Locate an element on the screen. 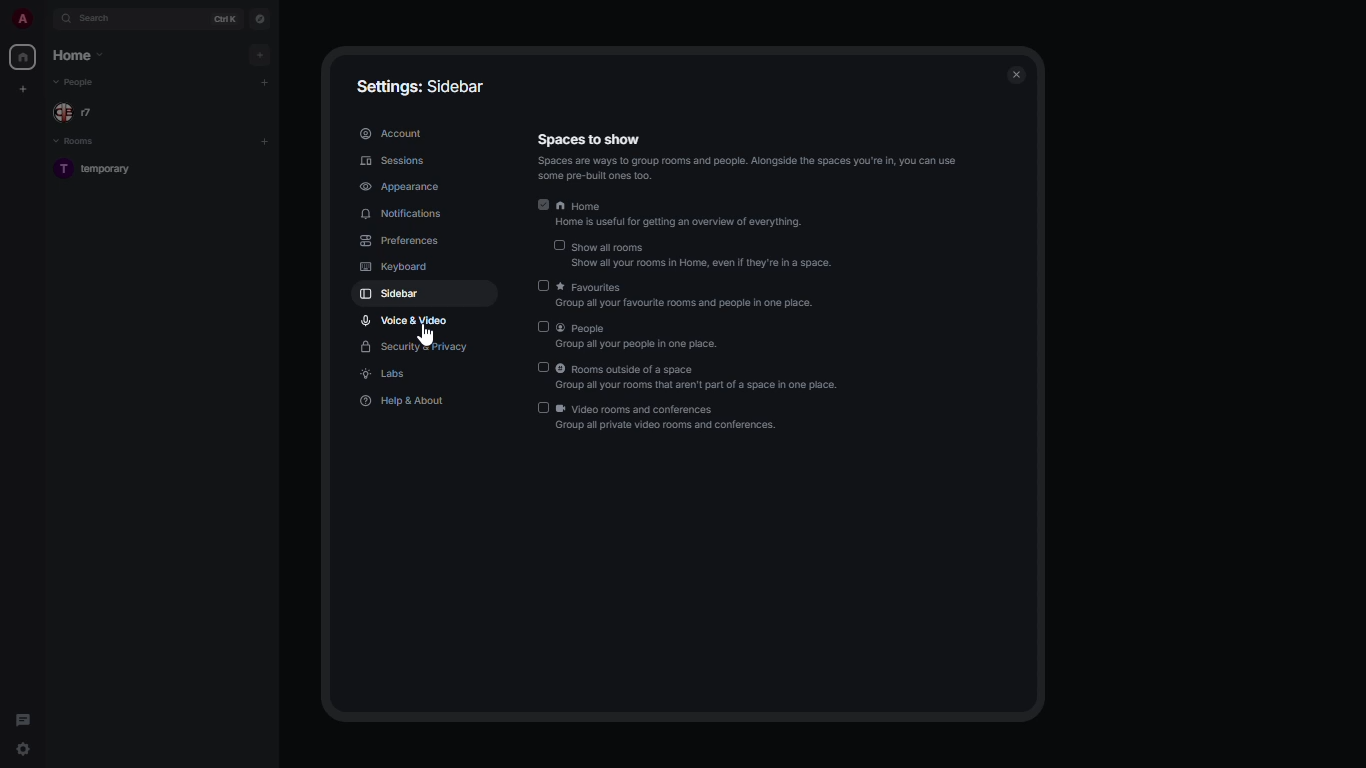  room is located at coordinates (106, 170).